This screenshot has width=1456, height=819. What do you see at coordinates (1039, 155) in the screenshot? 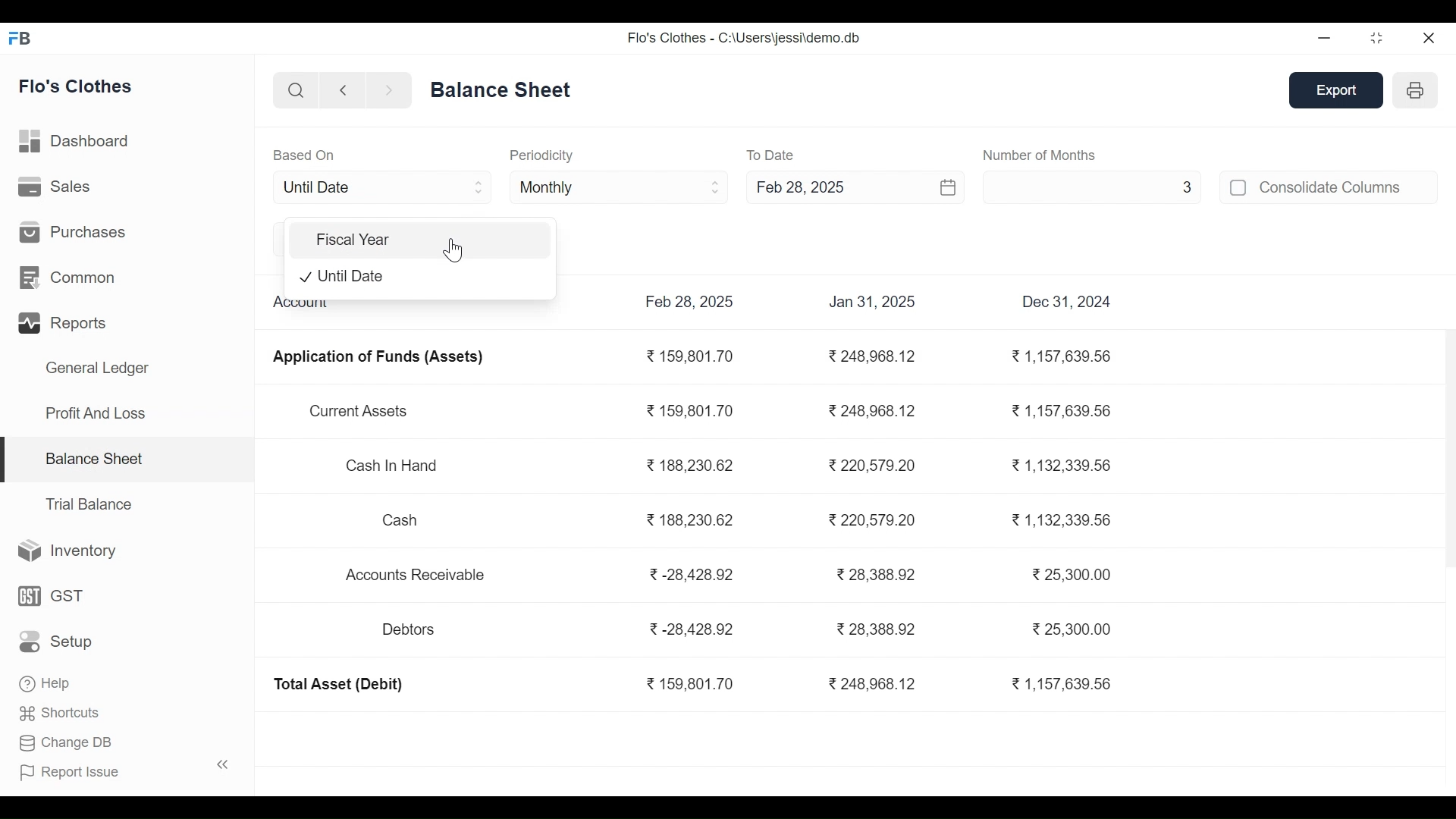
I see `Number of Months` at bounding box center [1039, 155].